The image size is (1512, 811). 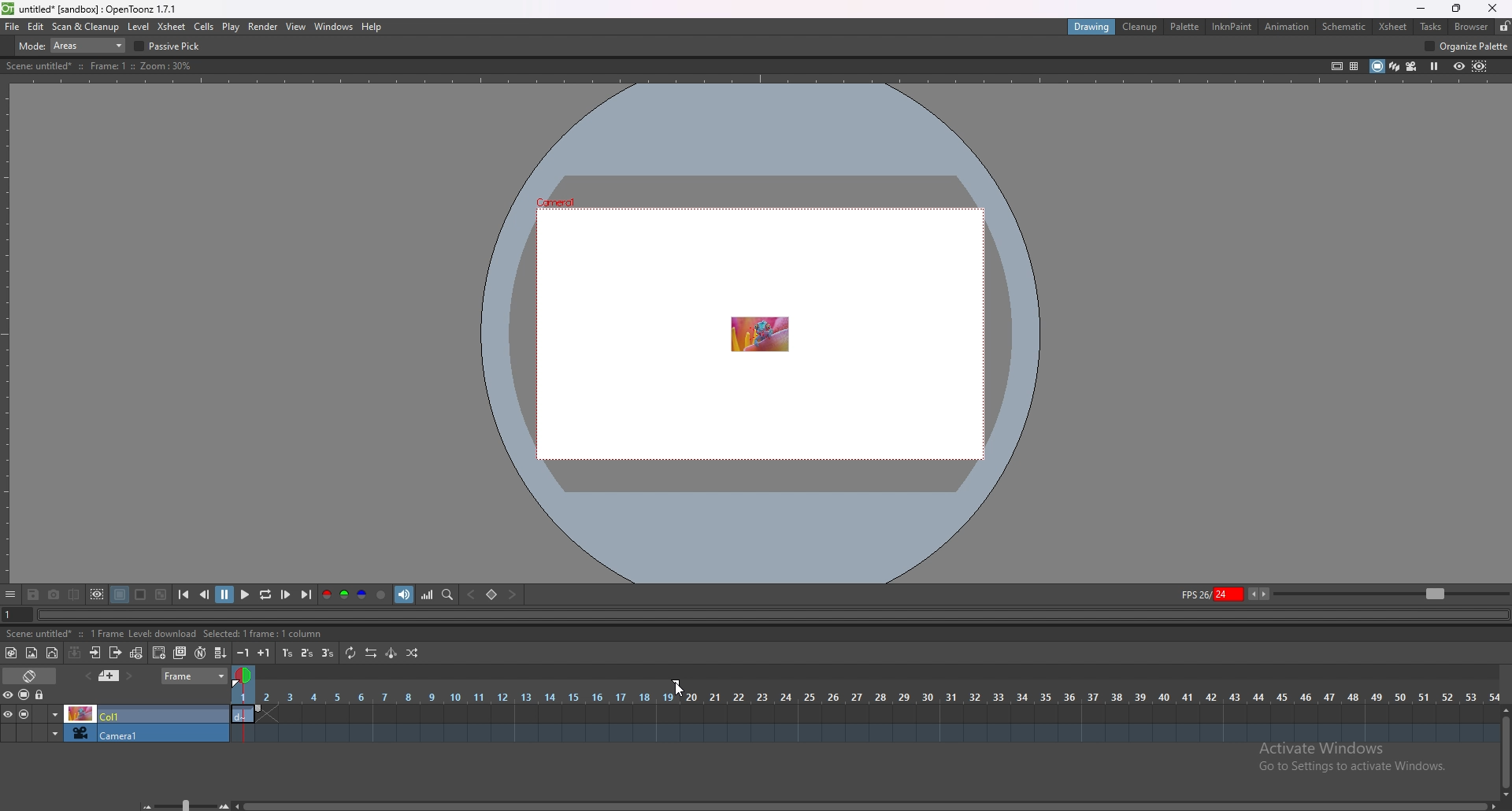 I want to click on close, so click(x=1493, y=8).